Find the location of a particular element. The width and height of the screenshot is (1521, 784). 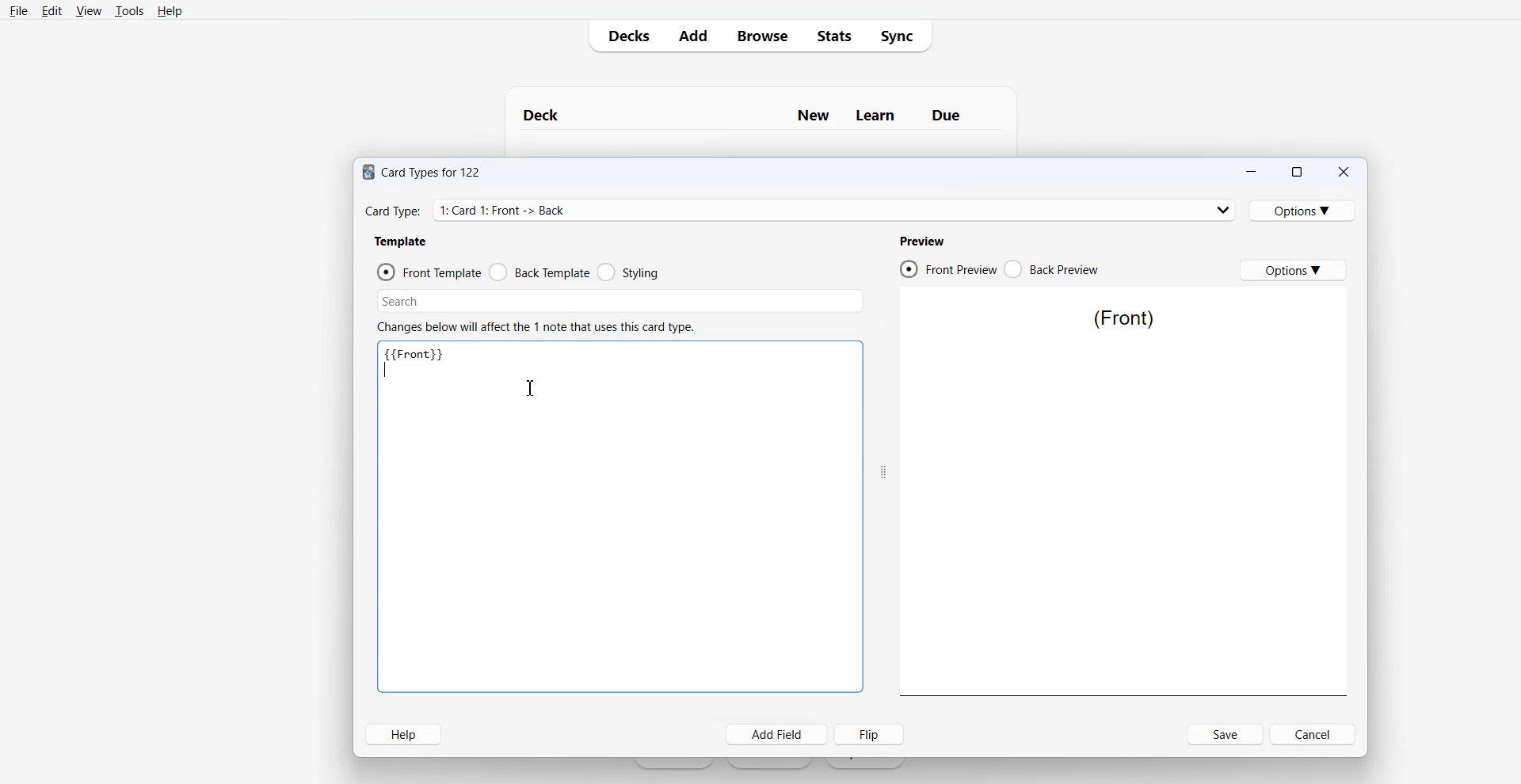

Black Preview is located at coordinates (1050, 268).